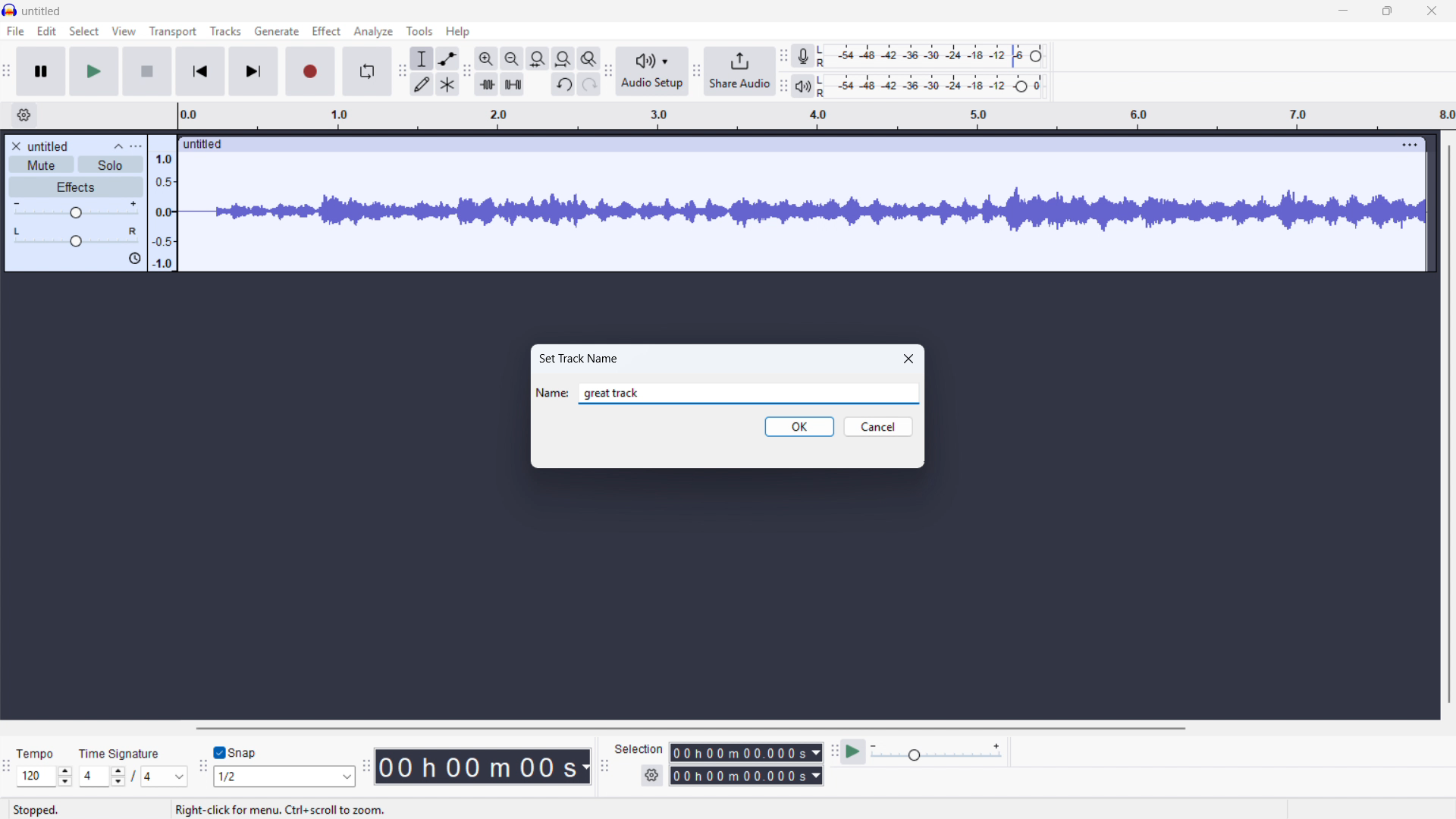  Describe the element at coordinates (276, 31) in the screenshot. I see `Generate ` at that location.